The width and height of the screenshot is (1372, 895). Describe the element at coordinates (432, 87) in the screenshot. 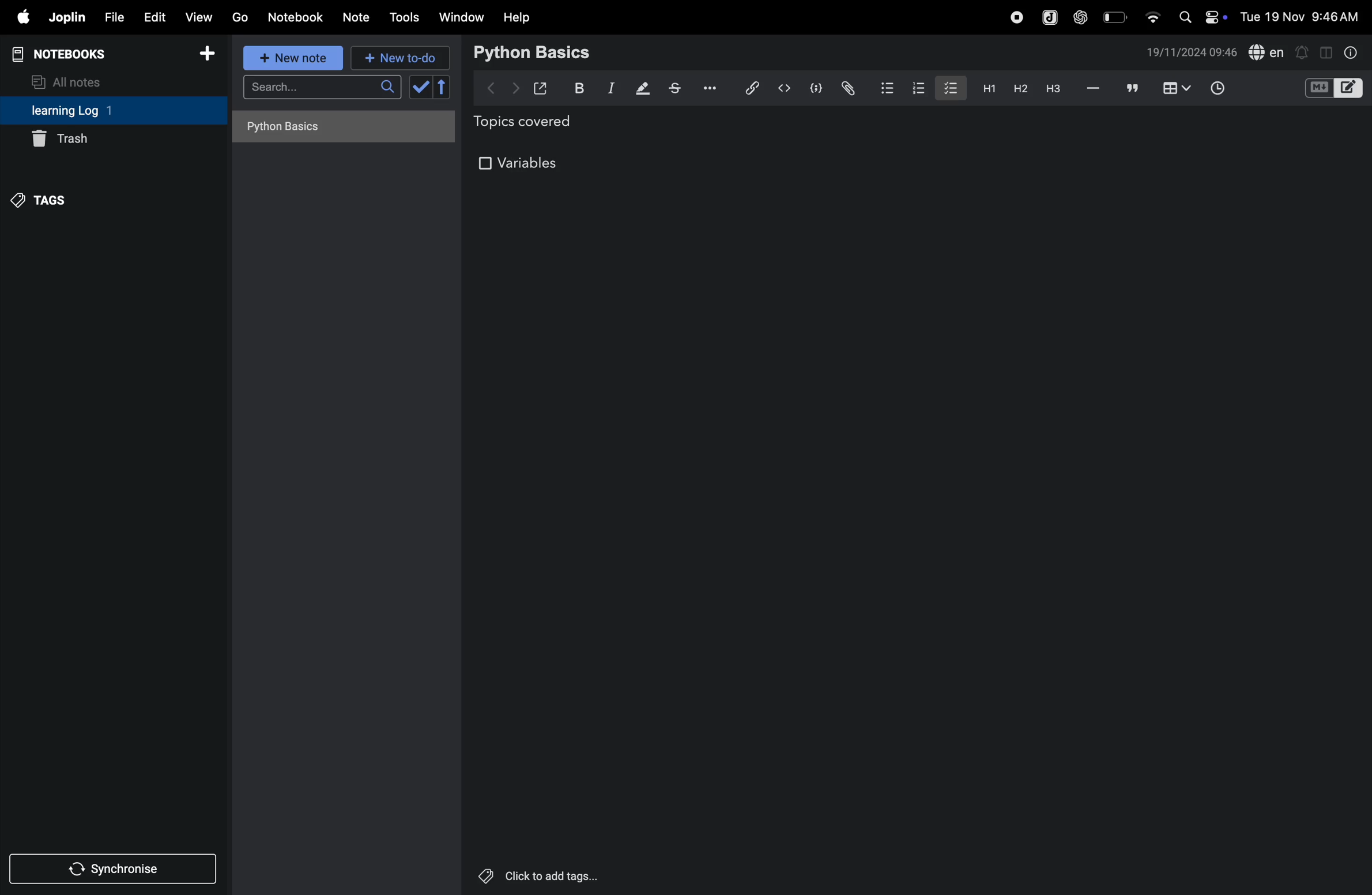

I see `check box` at that location.